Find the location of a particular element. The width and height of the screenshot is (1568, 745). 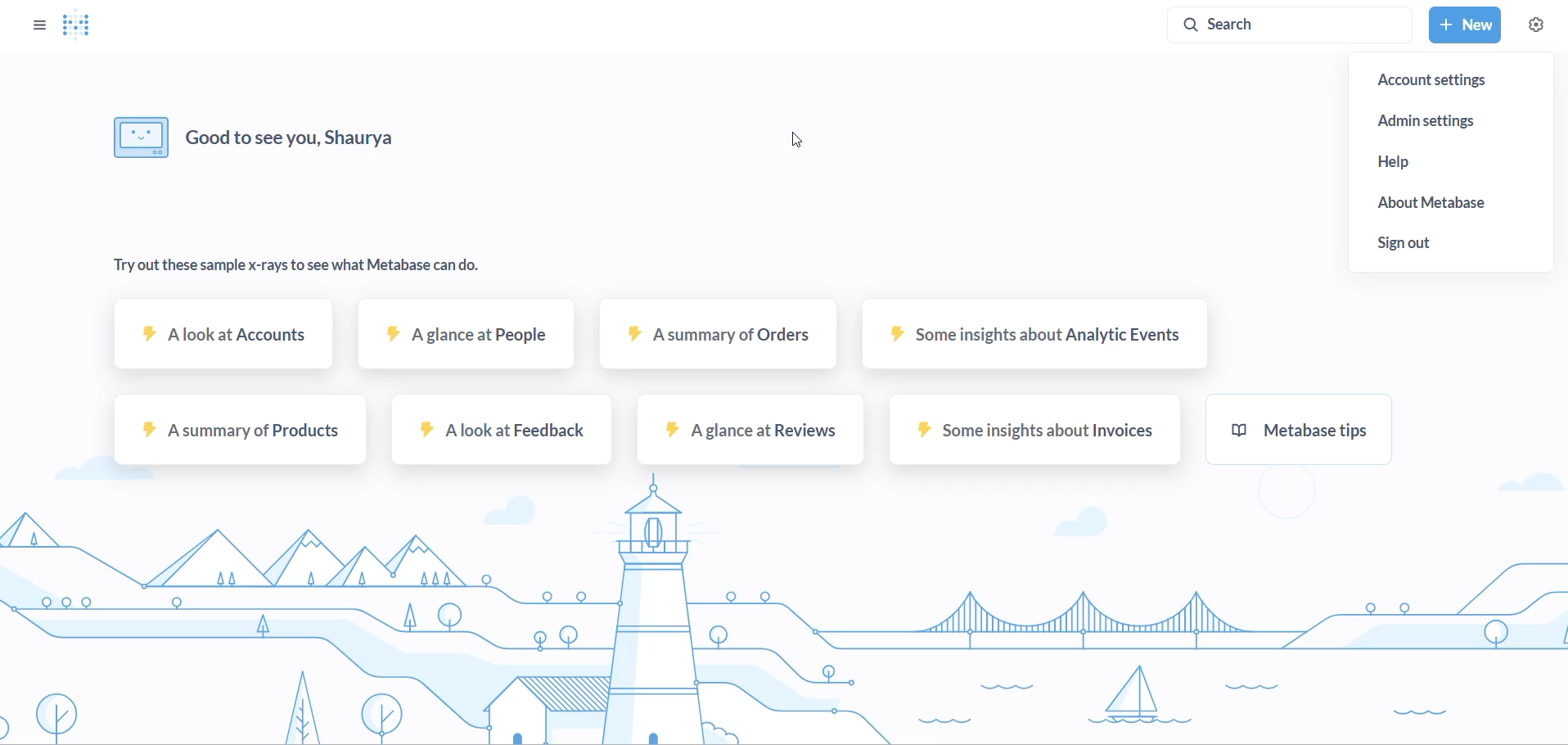

A summary of products is located at coordinates (237, 435).